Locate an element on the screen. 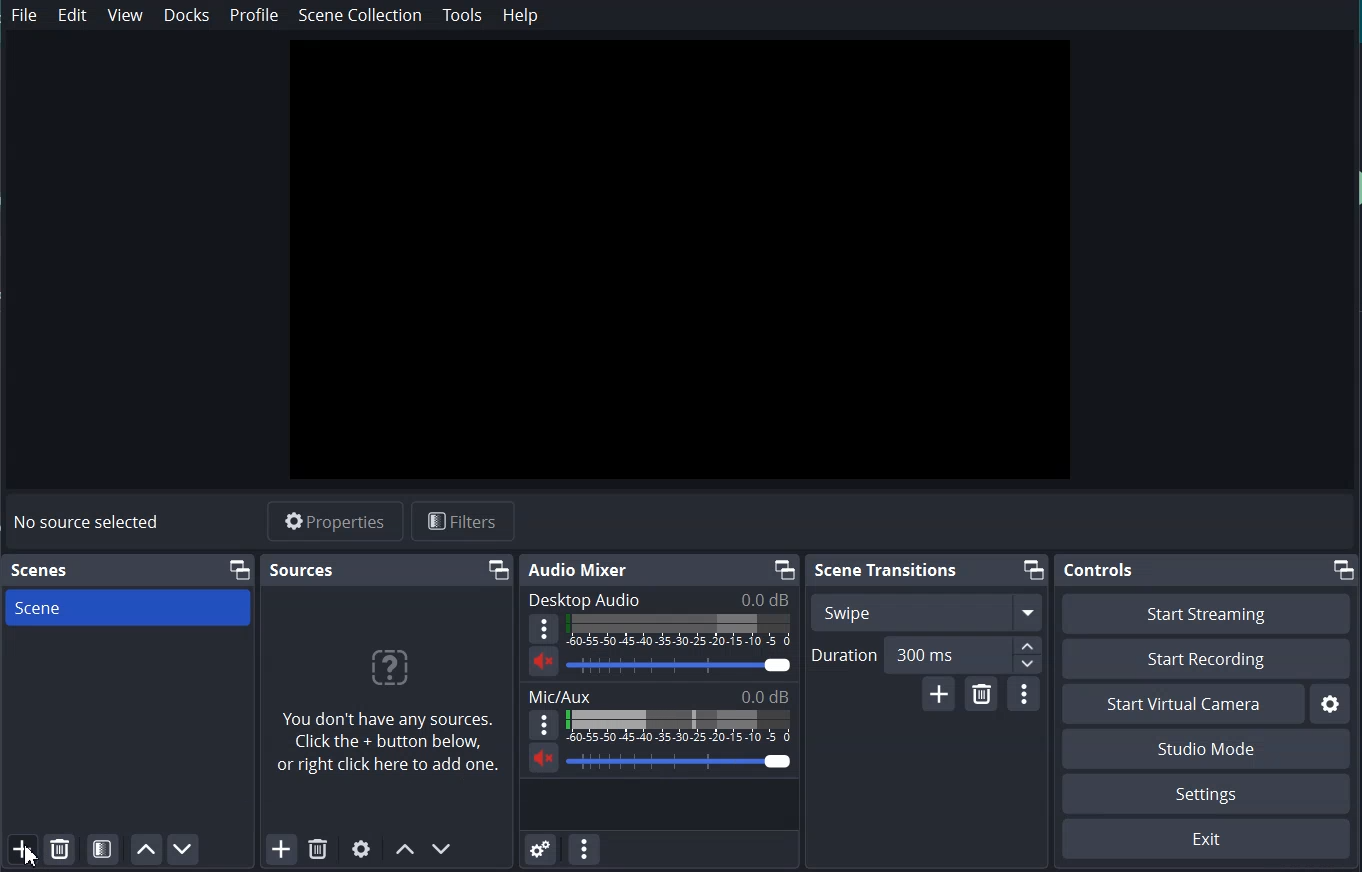 The image size is (1362, 872). Move scene Up is located at coordinates (403, 851).